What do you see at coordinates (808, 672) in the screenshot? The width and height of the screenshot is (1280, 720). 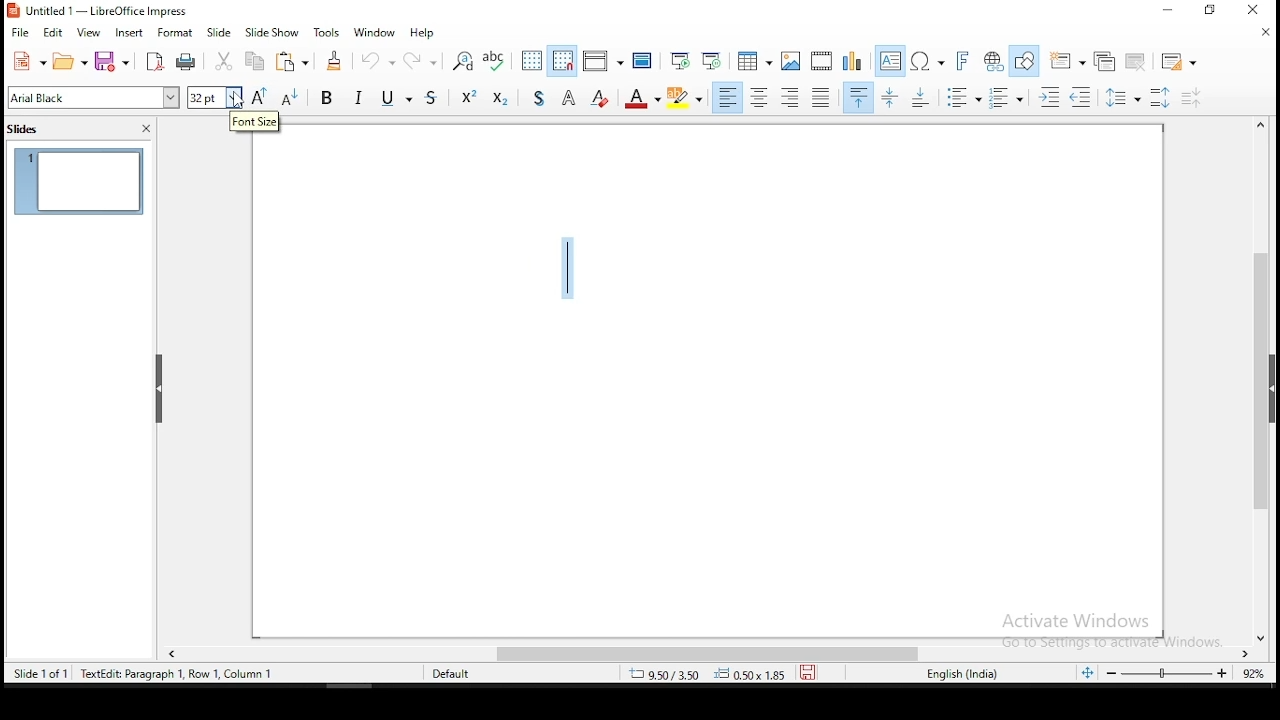 I see `save` at bounding box center [808, 672].